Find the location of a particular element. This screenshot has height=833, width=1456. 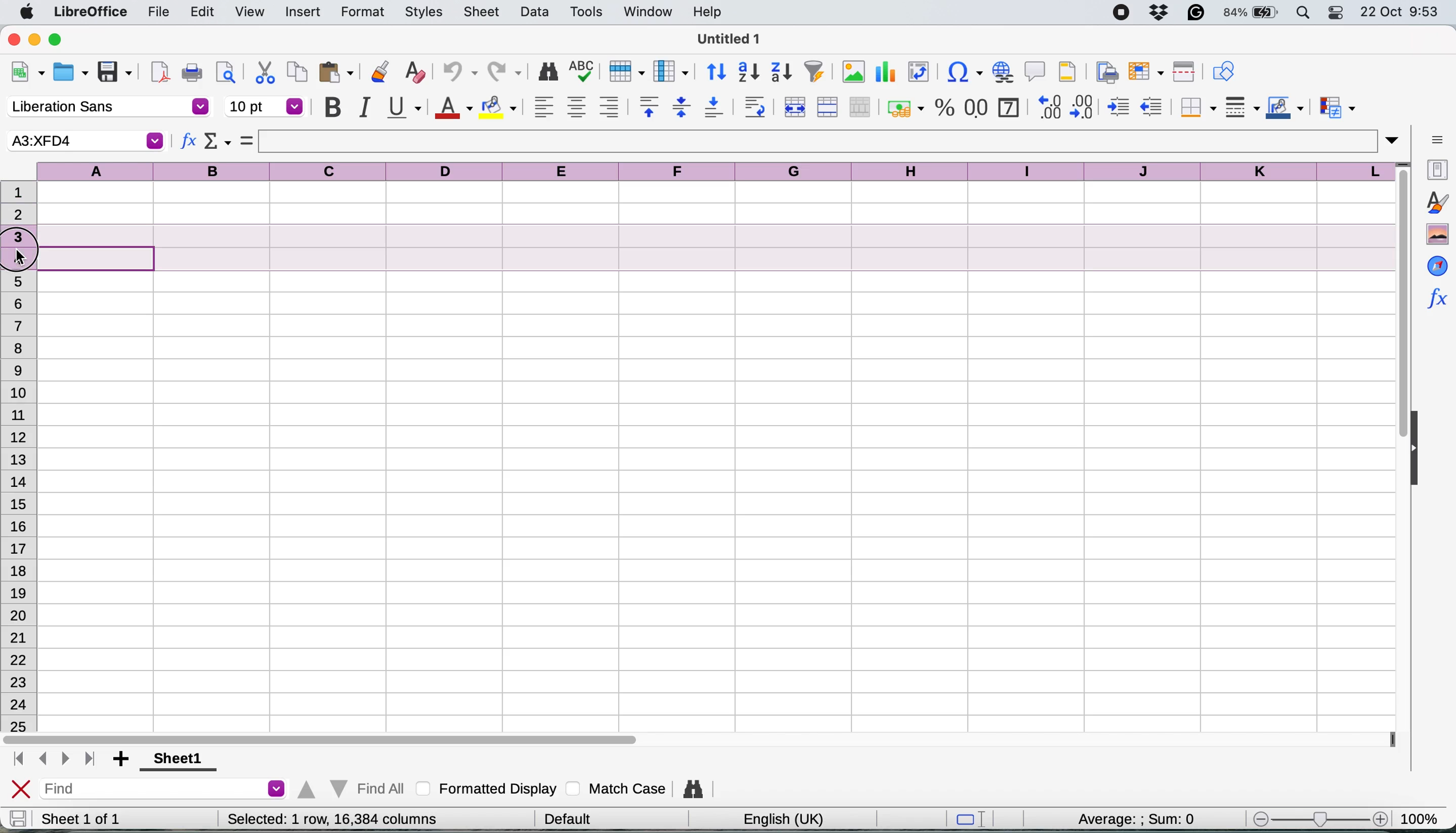

align center is located at coordinates (576, 108).